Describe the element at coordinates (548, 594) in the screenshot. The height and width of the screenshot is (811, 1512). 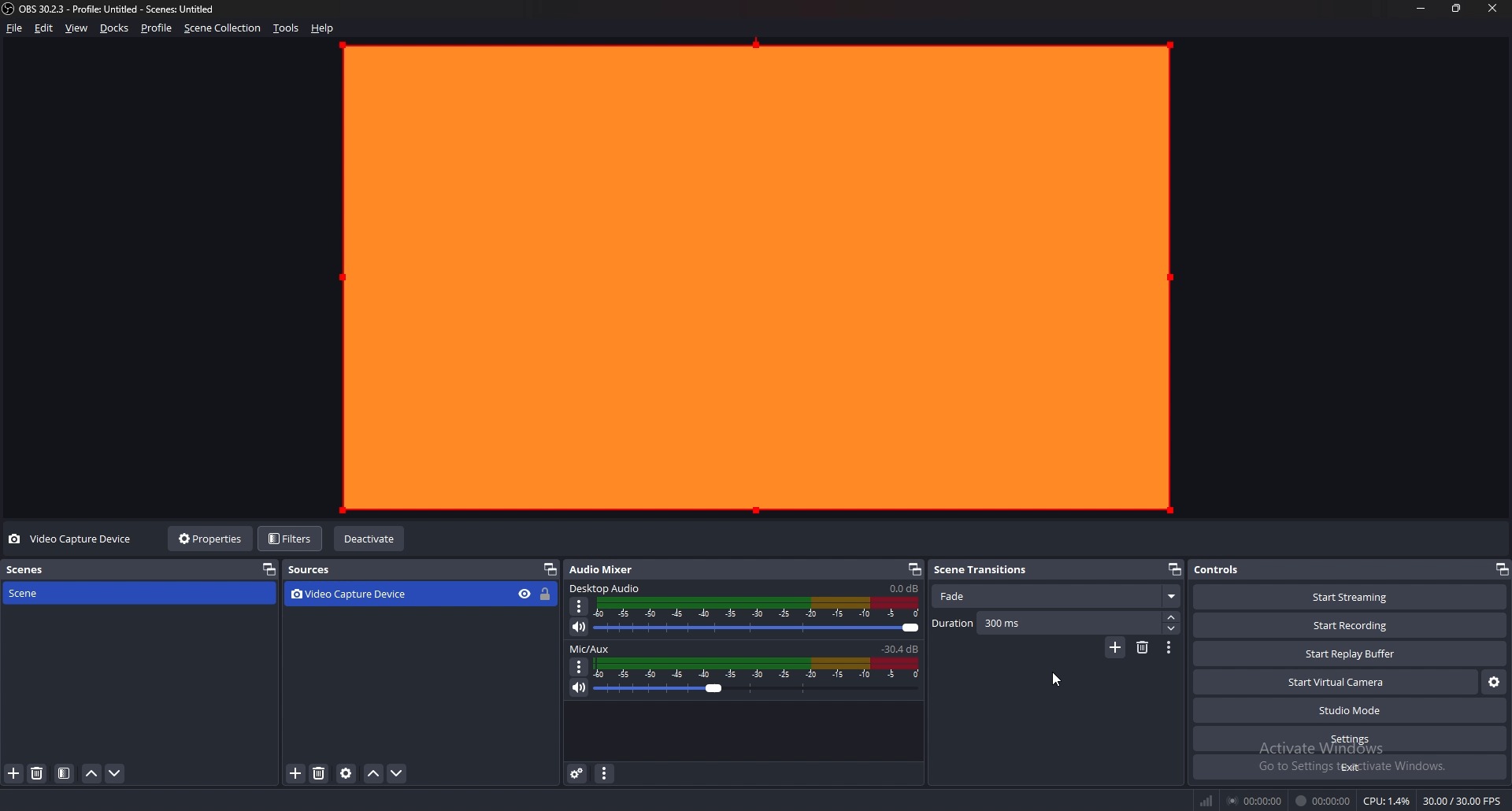
I see `lock` at that location.